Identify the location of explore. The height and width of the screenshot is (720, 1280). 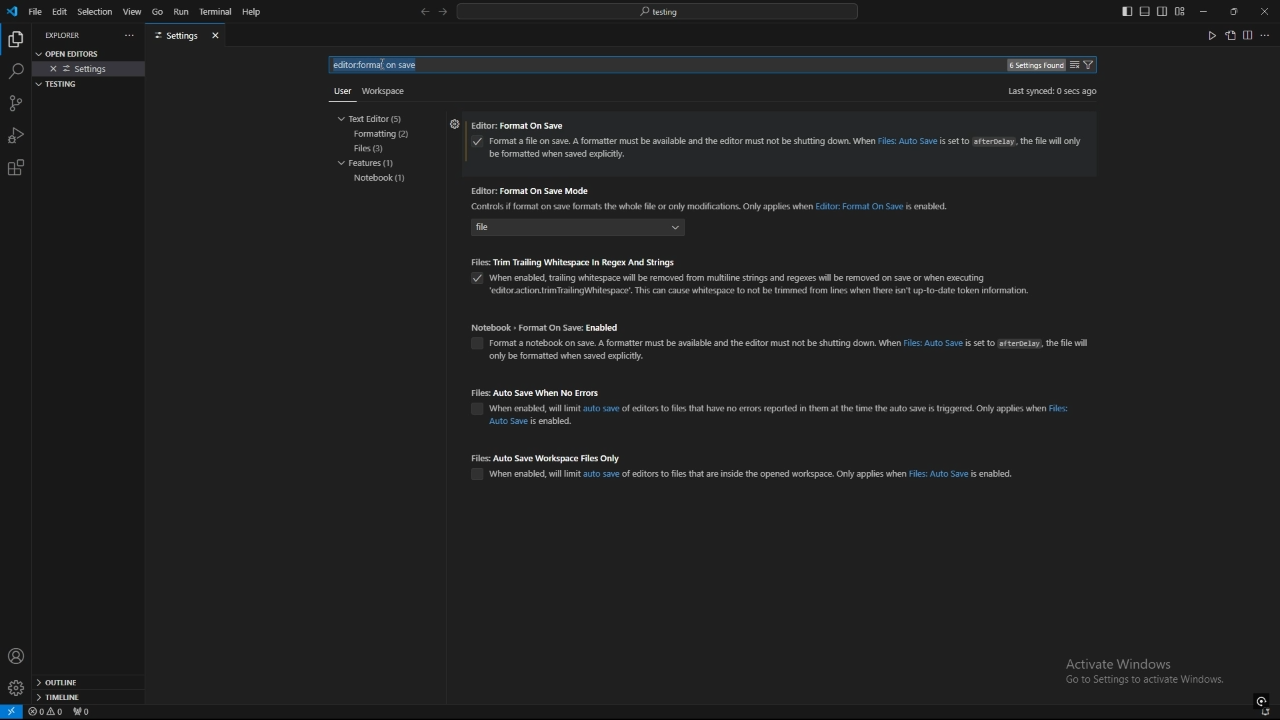
(15, 38).